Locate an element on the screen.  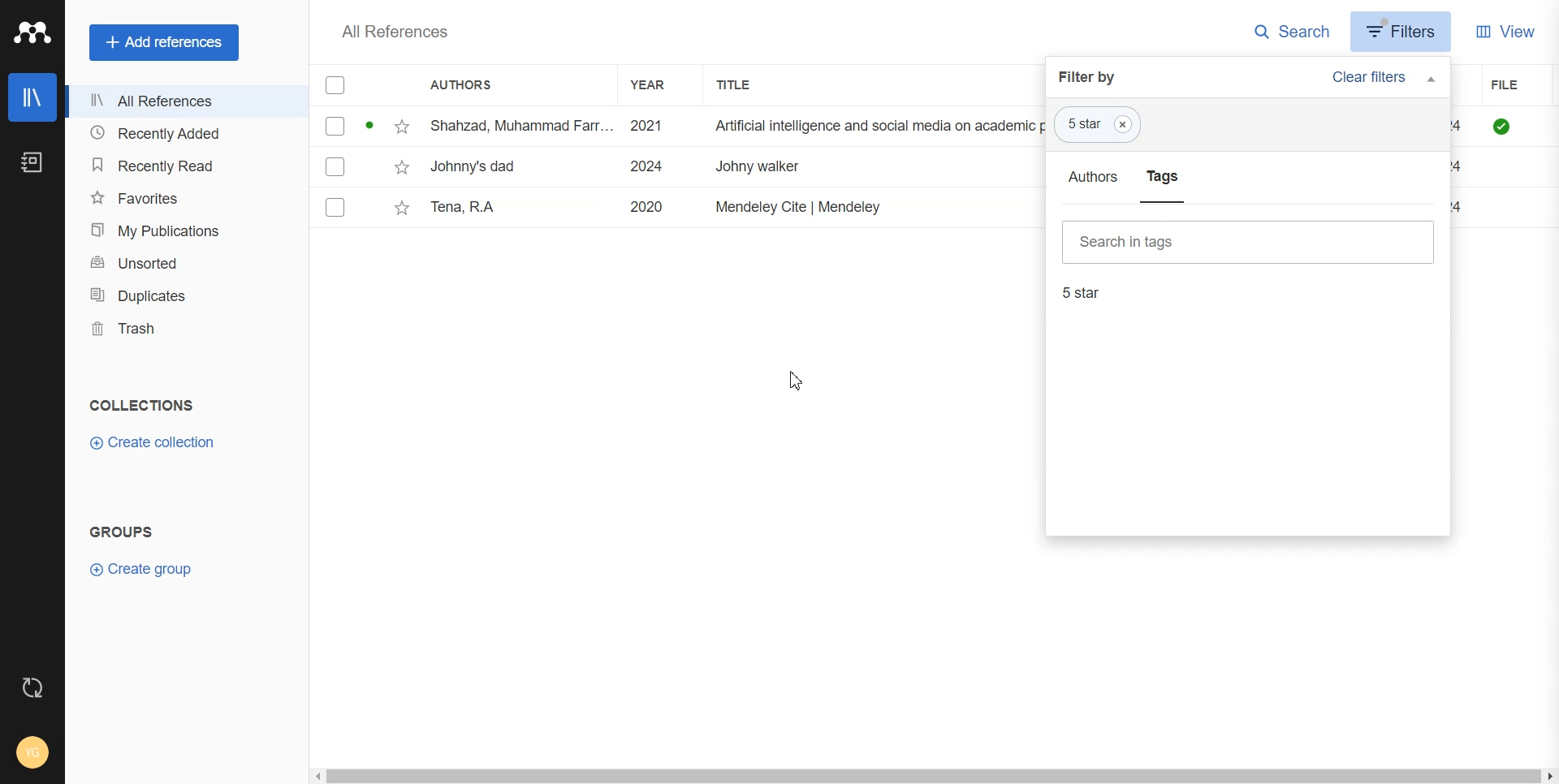
Notebook is located at coordinates (32, 162).